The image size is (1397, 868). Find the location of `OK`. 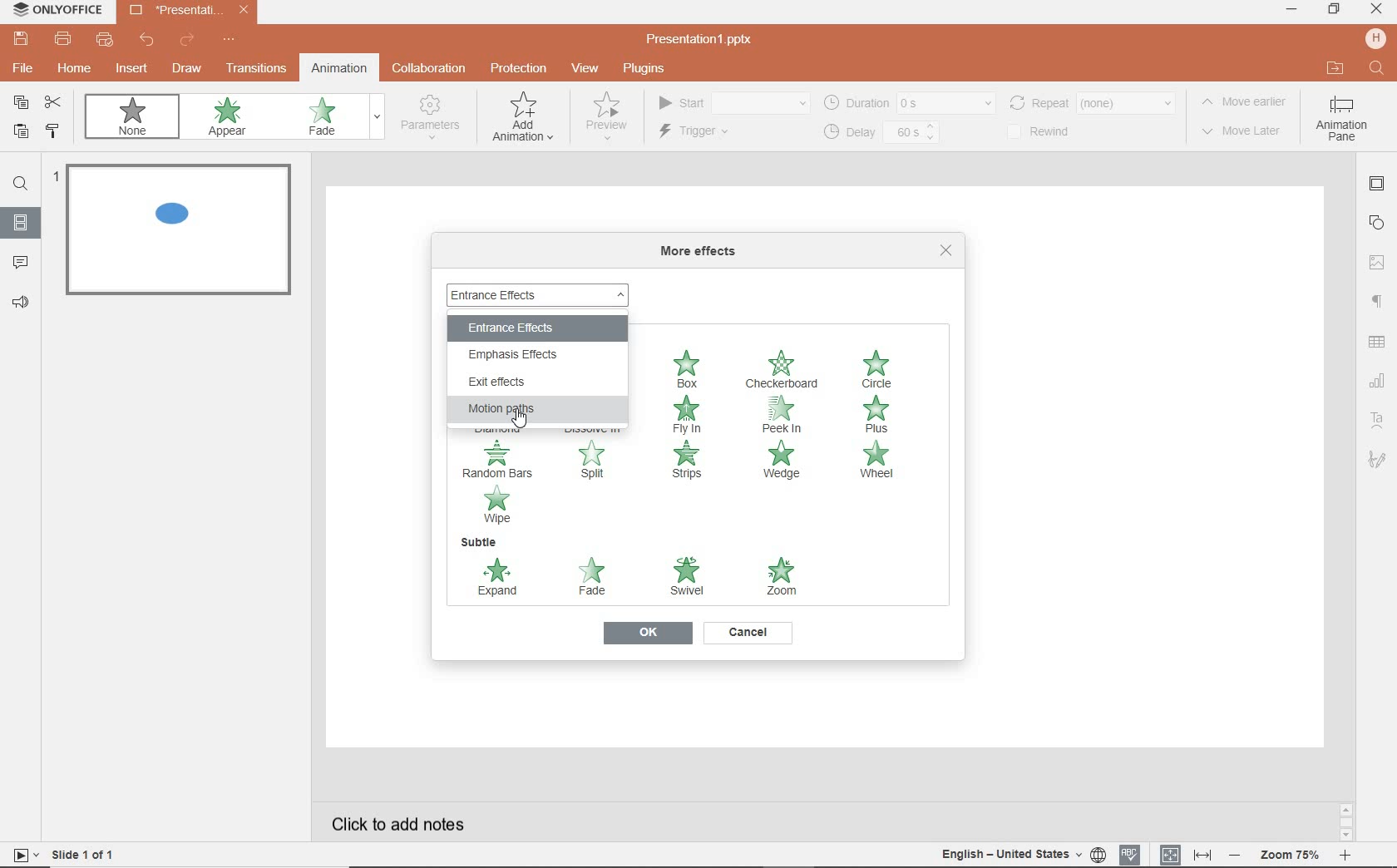

OK is located at coordinates (646, 634).